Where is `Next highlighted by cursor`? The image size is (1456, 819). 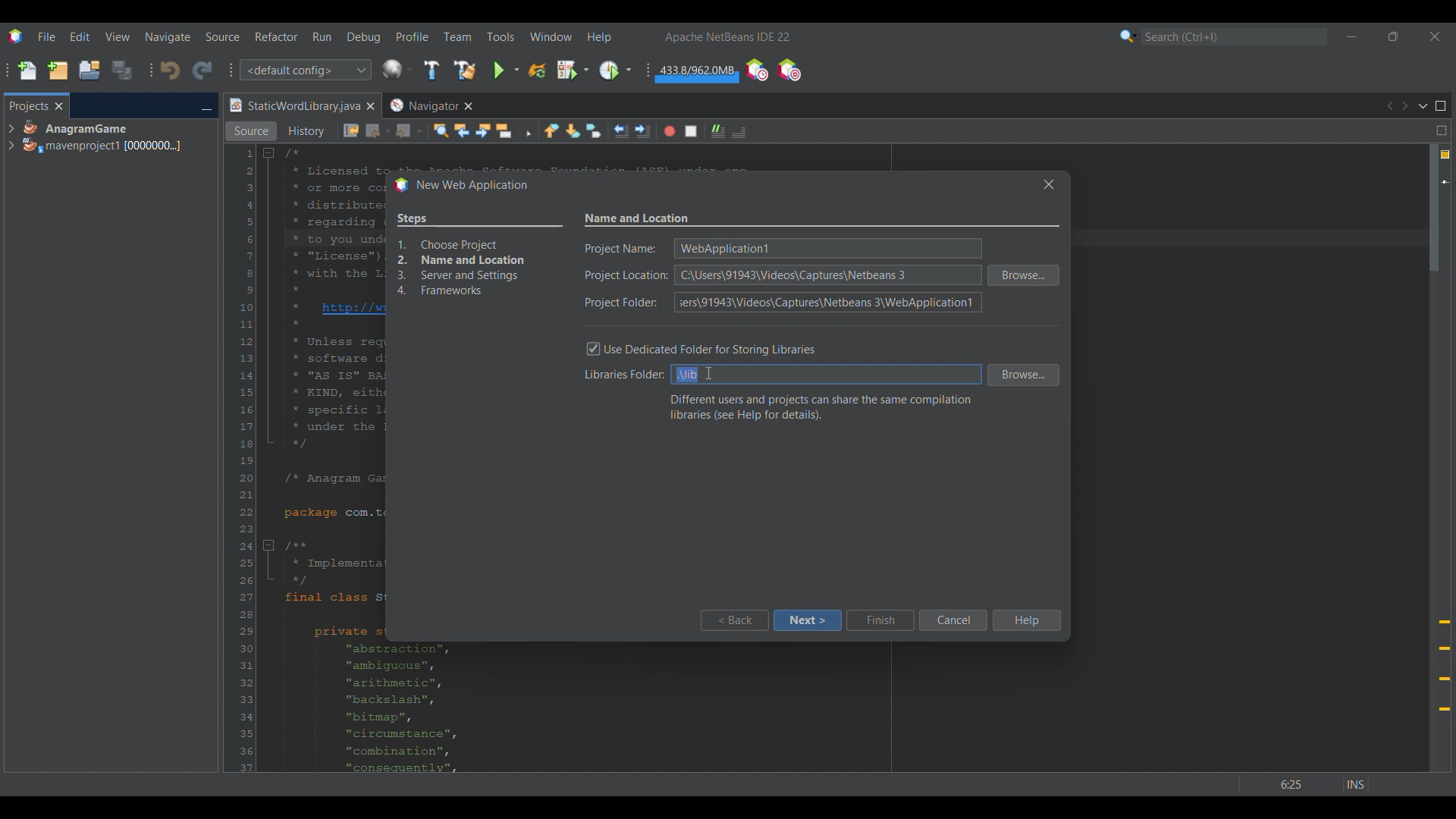 Next highlighted by cursor is located at coordinates (807, 620).